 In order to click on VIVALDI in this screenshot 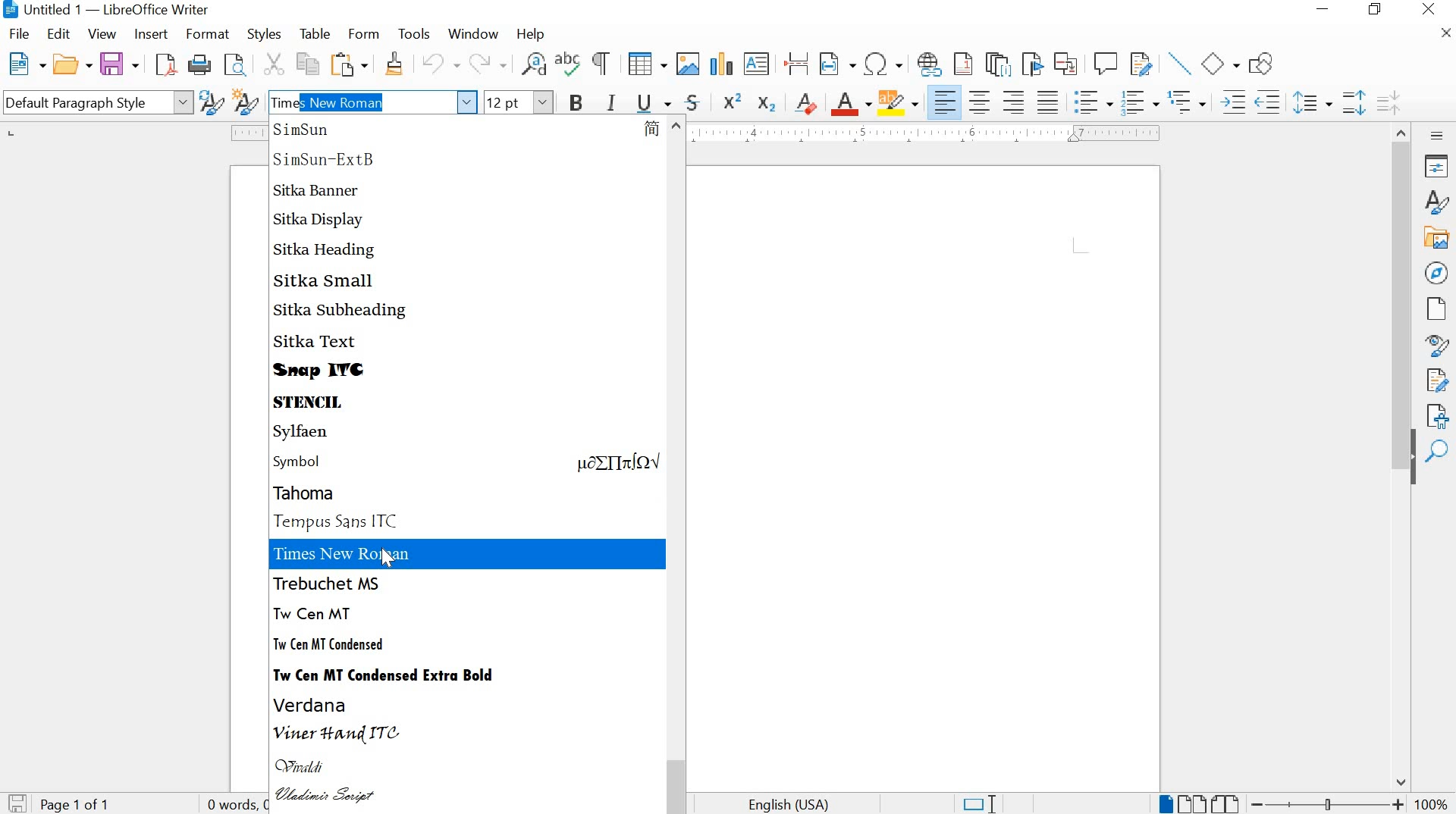, I will do `click(300, 767)`.